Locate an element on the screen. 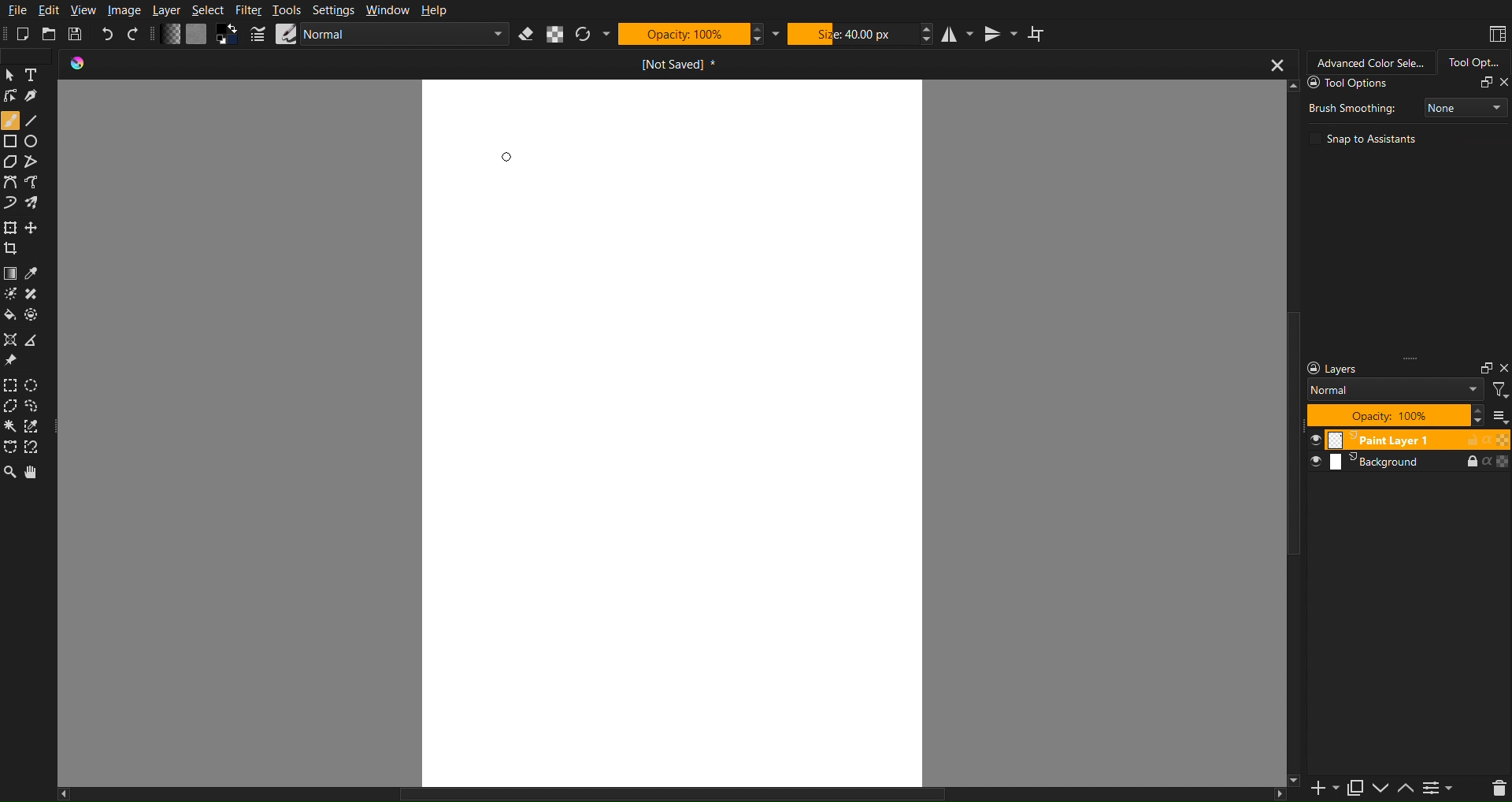 This screenshot has width=1512, height=802. Pointer is located at coordinates (11, 75).